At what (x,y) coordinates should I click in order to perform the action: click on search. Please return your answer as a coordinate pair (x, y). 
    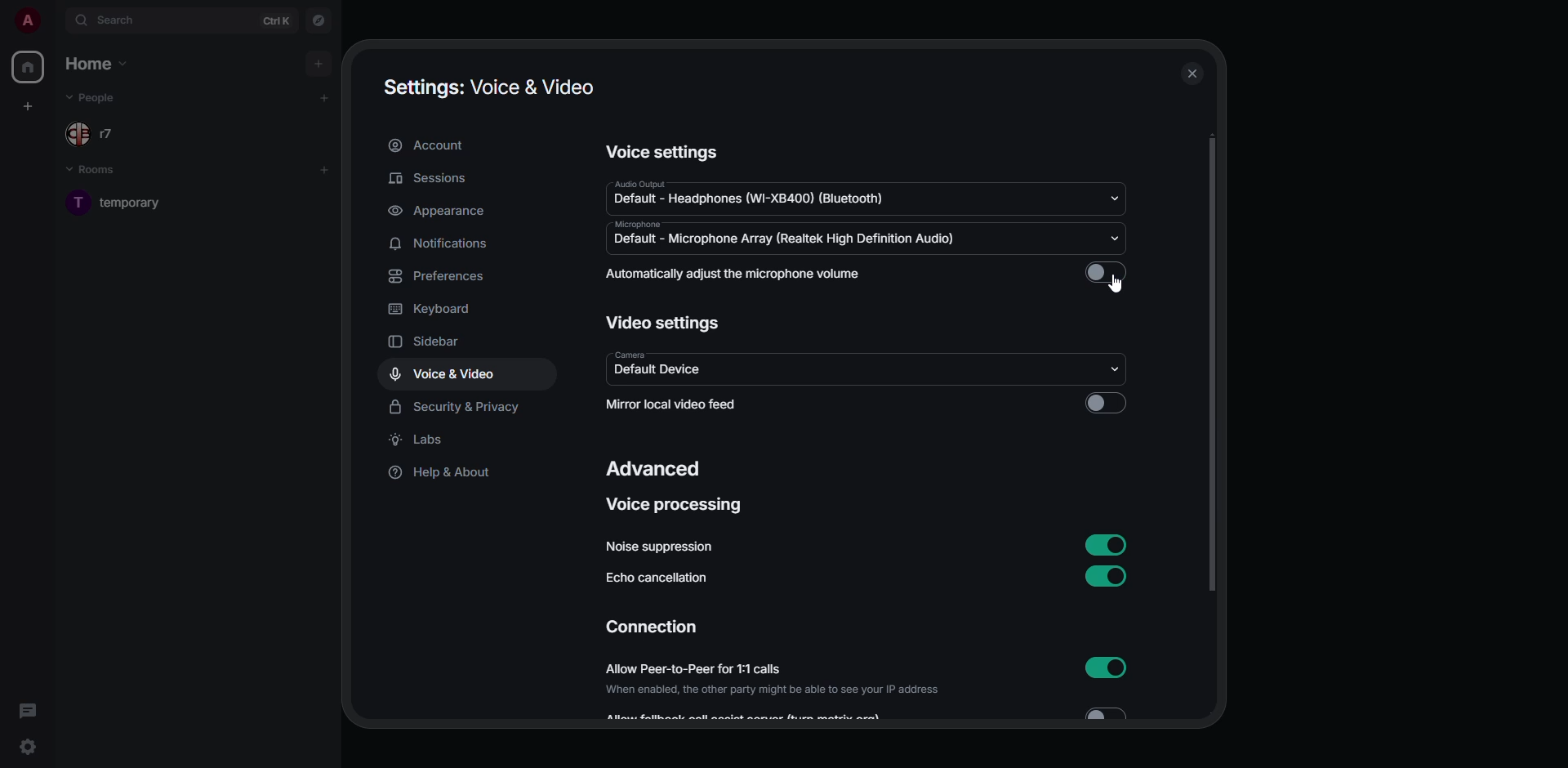
    Looking at the image, I should click on (118, 19).